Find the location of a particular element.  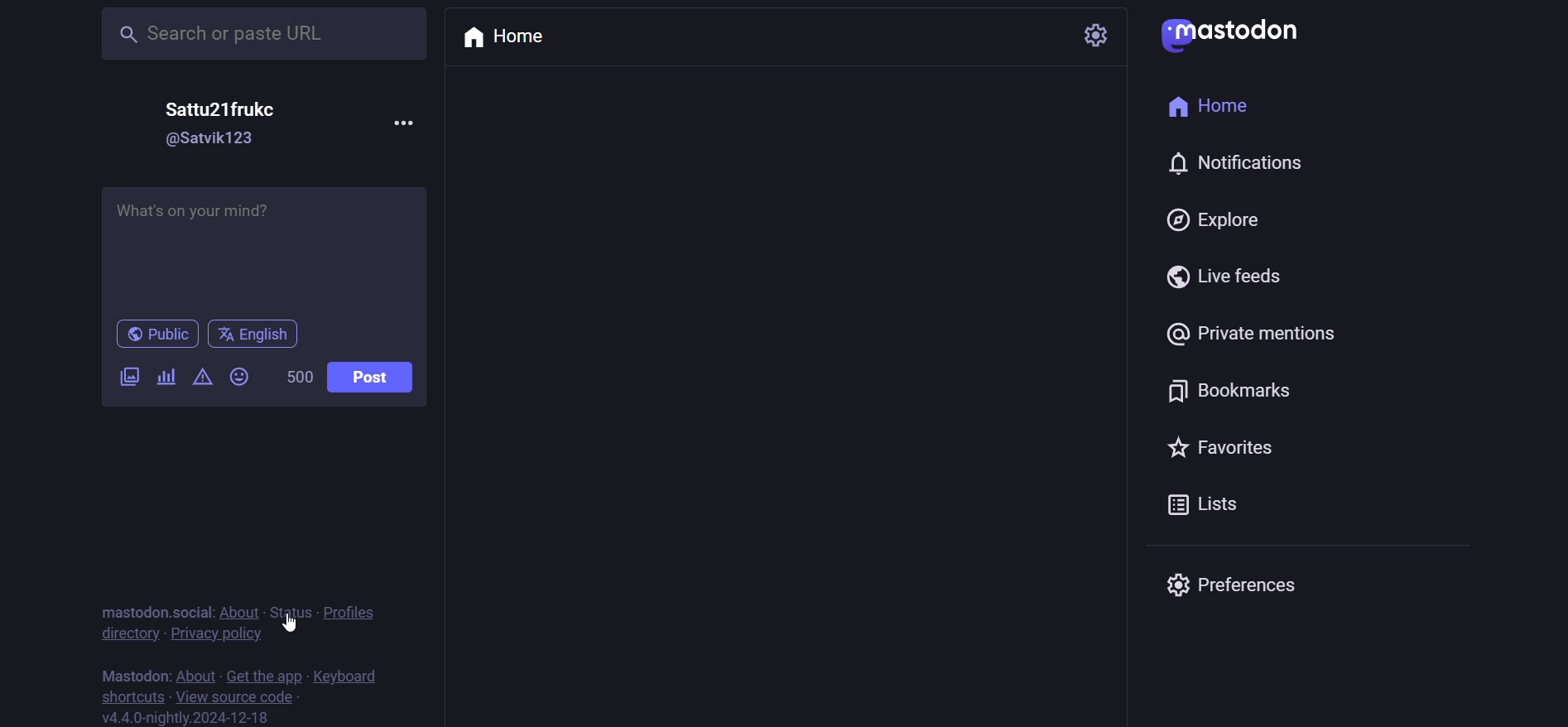

about is located at coordinates (239, 611).